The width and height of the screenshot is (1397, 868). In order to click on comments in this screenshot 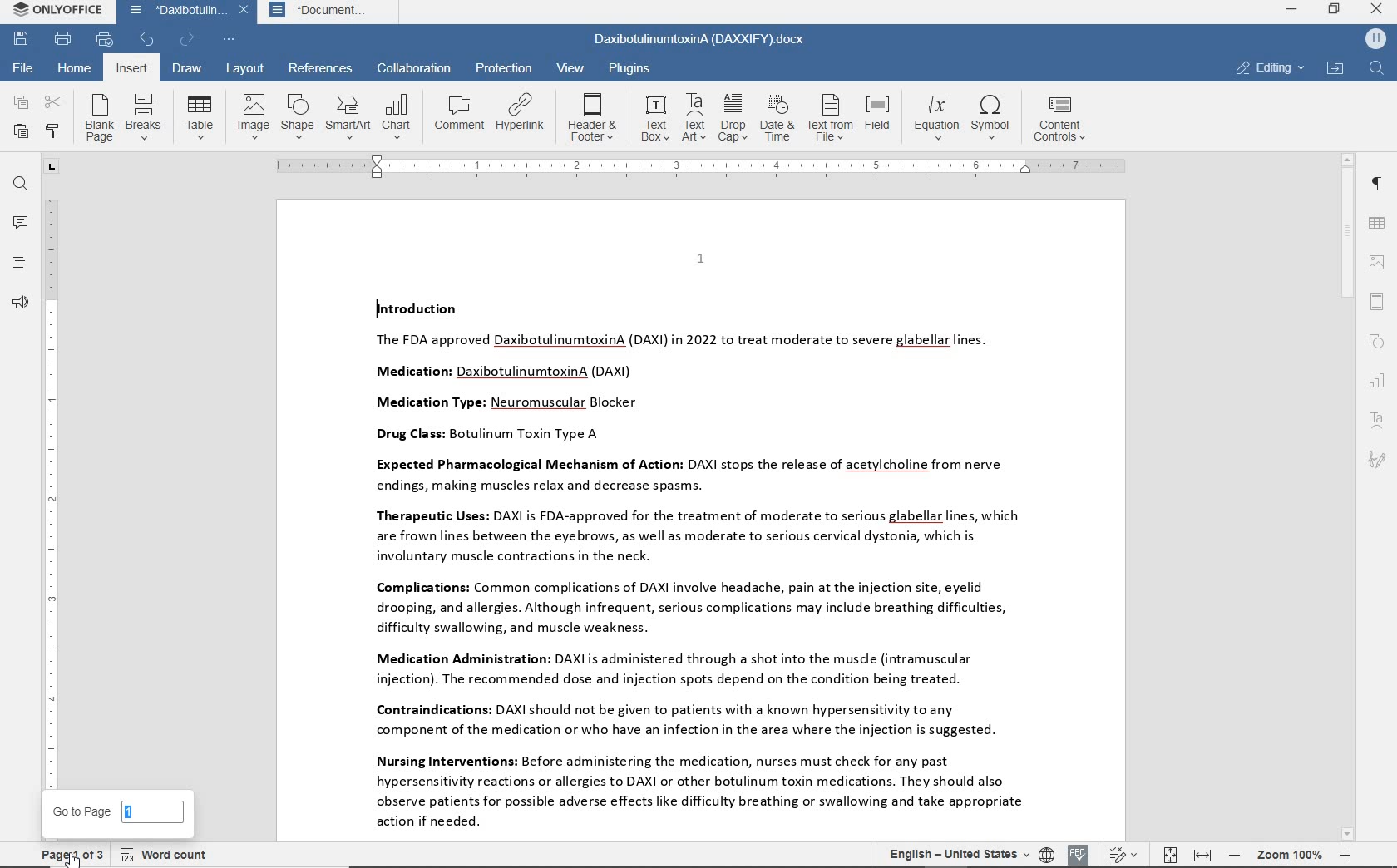, I will do `click(20, 223)`.